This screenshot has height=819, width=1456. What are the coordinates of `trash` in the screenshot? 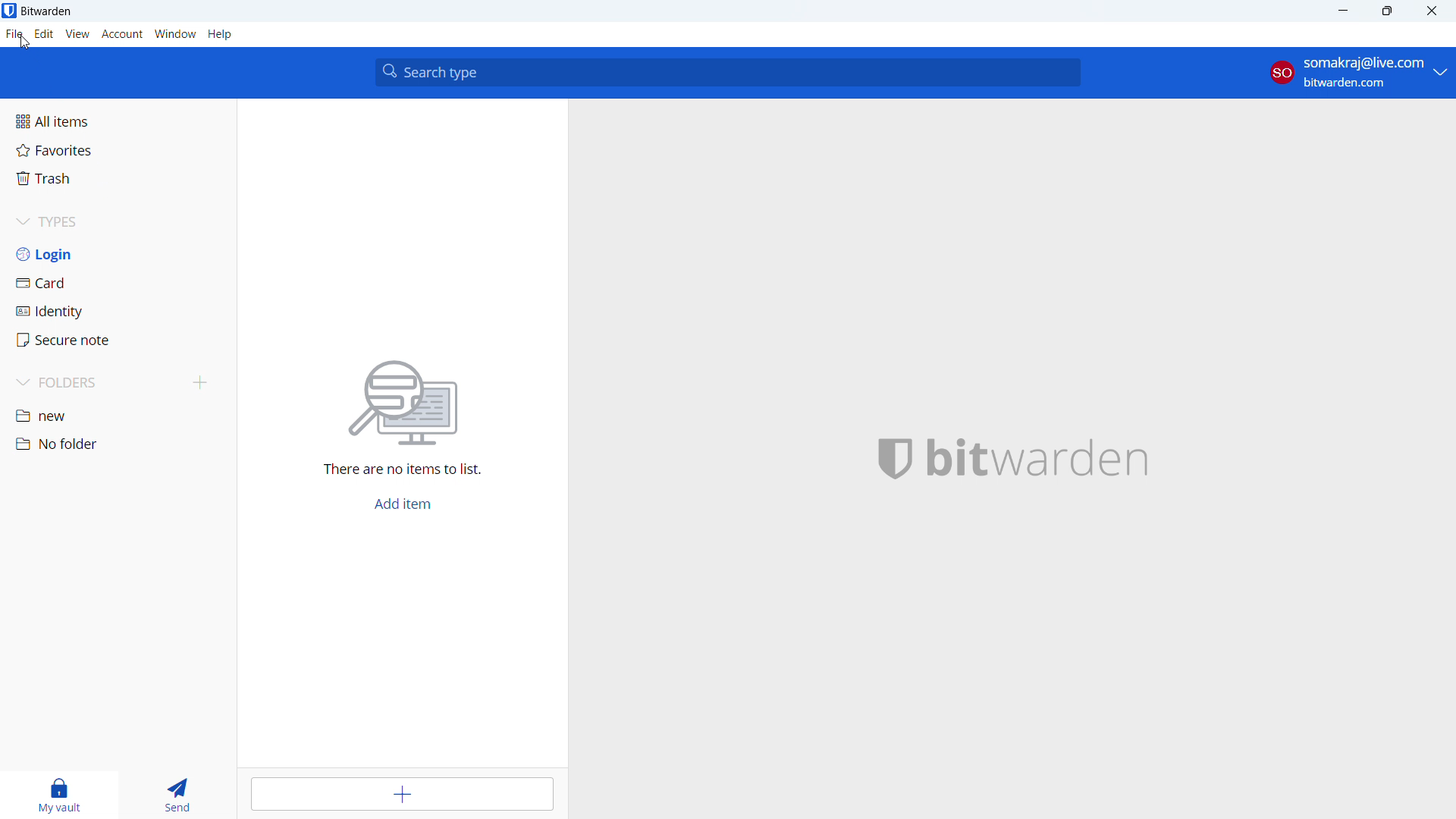 It's located at (116, 178).